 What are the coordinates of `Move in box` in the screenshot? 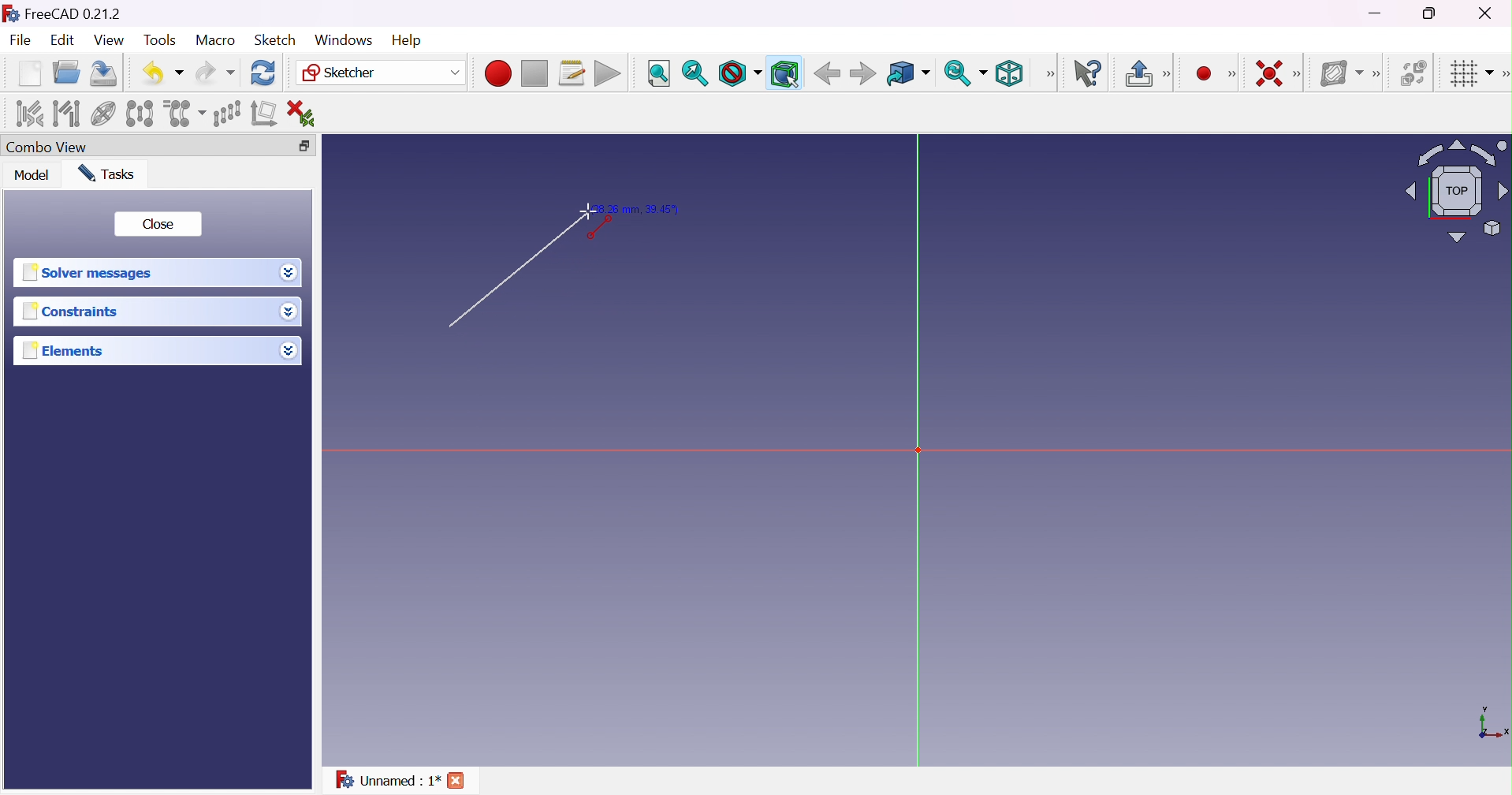 It's located at (907, 74).